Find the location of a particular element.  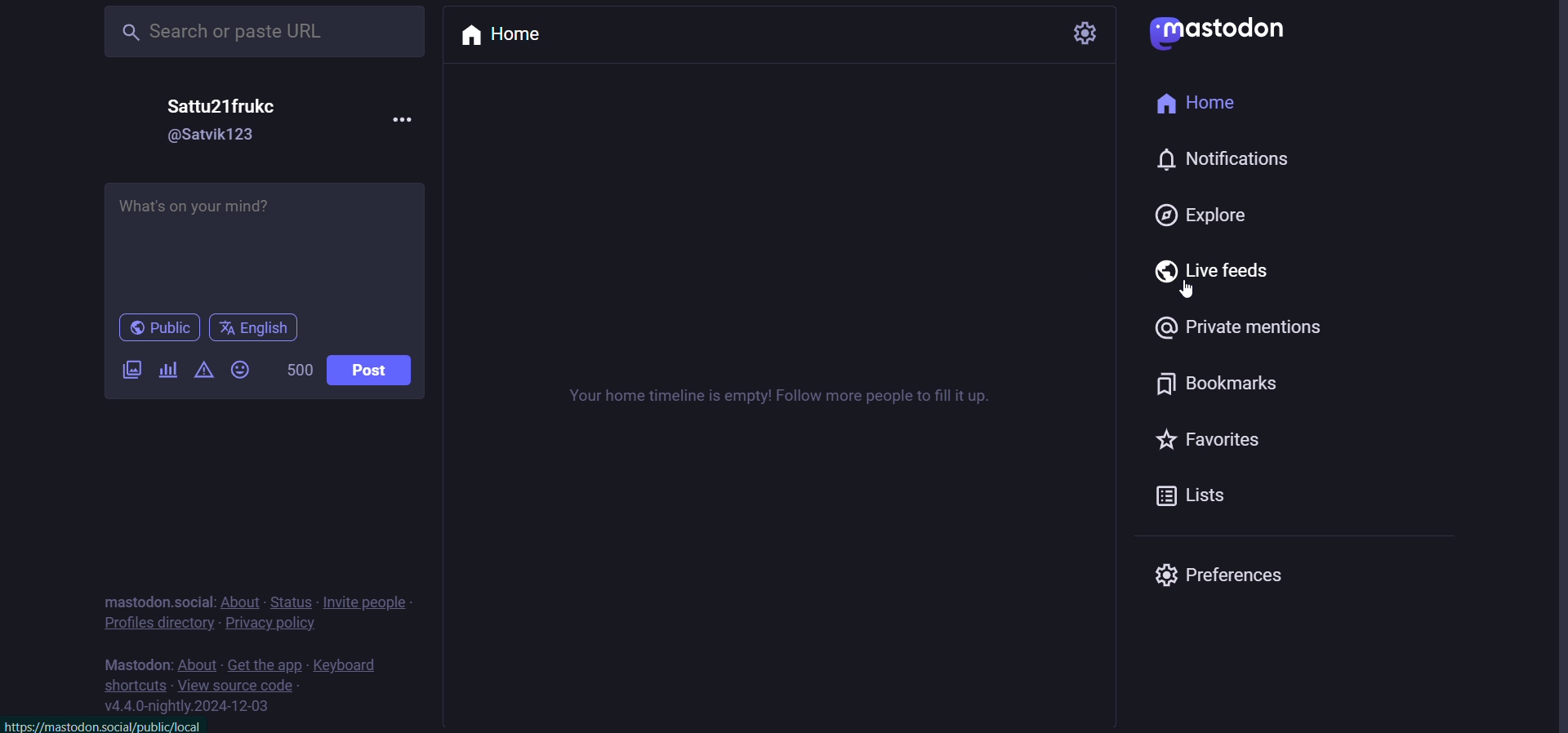

status is located at coordinates (292, 601).